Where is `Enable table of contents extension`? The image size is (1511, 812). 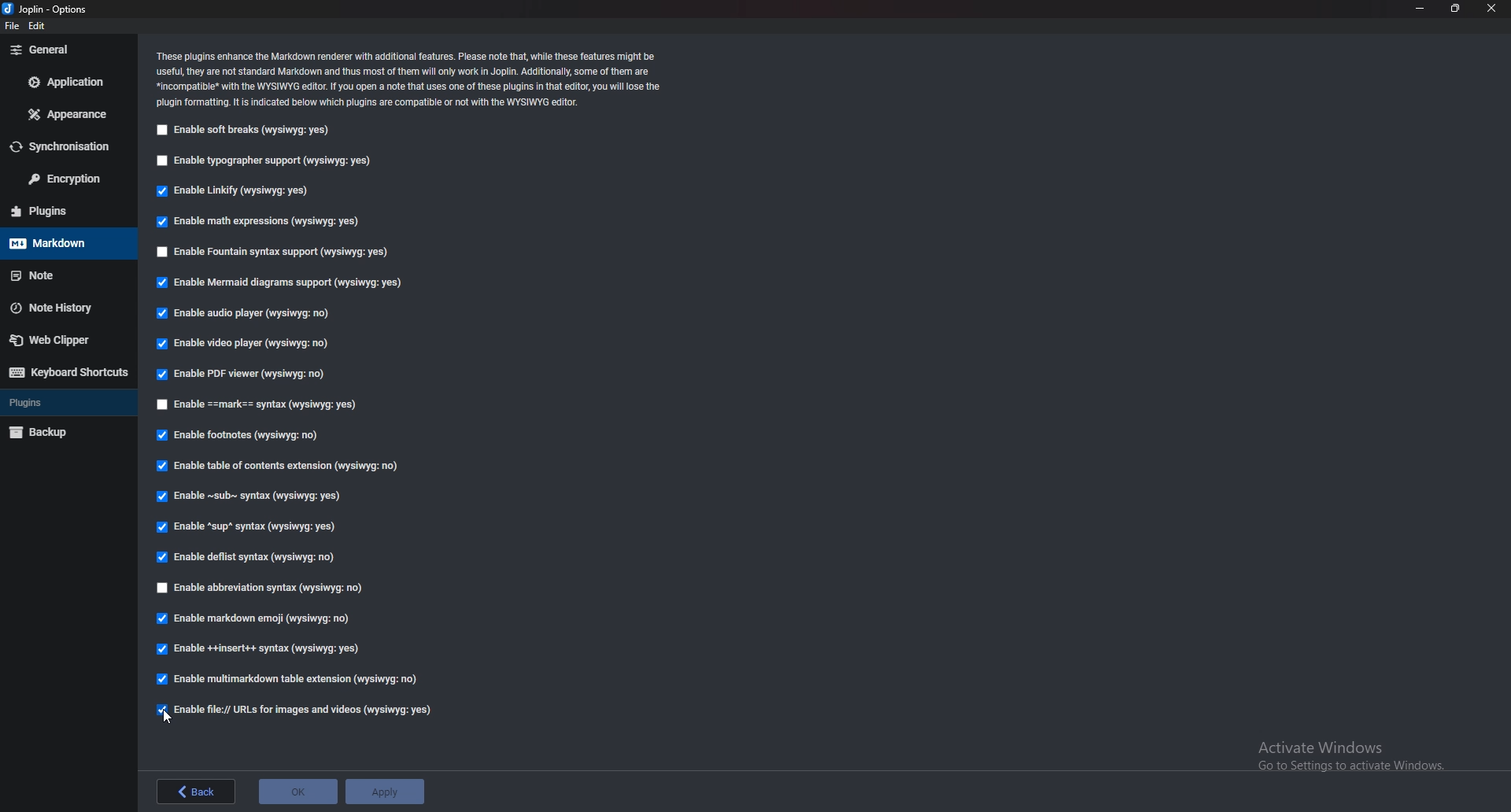 Enable table of contents extension is located at coordinates (281, 465).